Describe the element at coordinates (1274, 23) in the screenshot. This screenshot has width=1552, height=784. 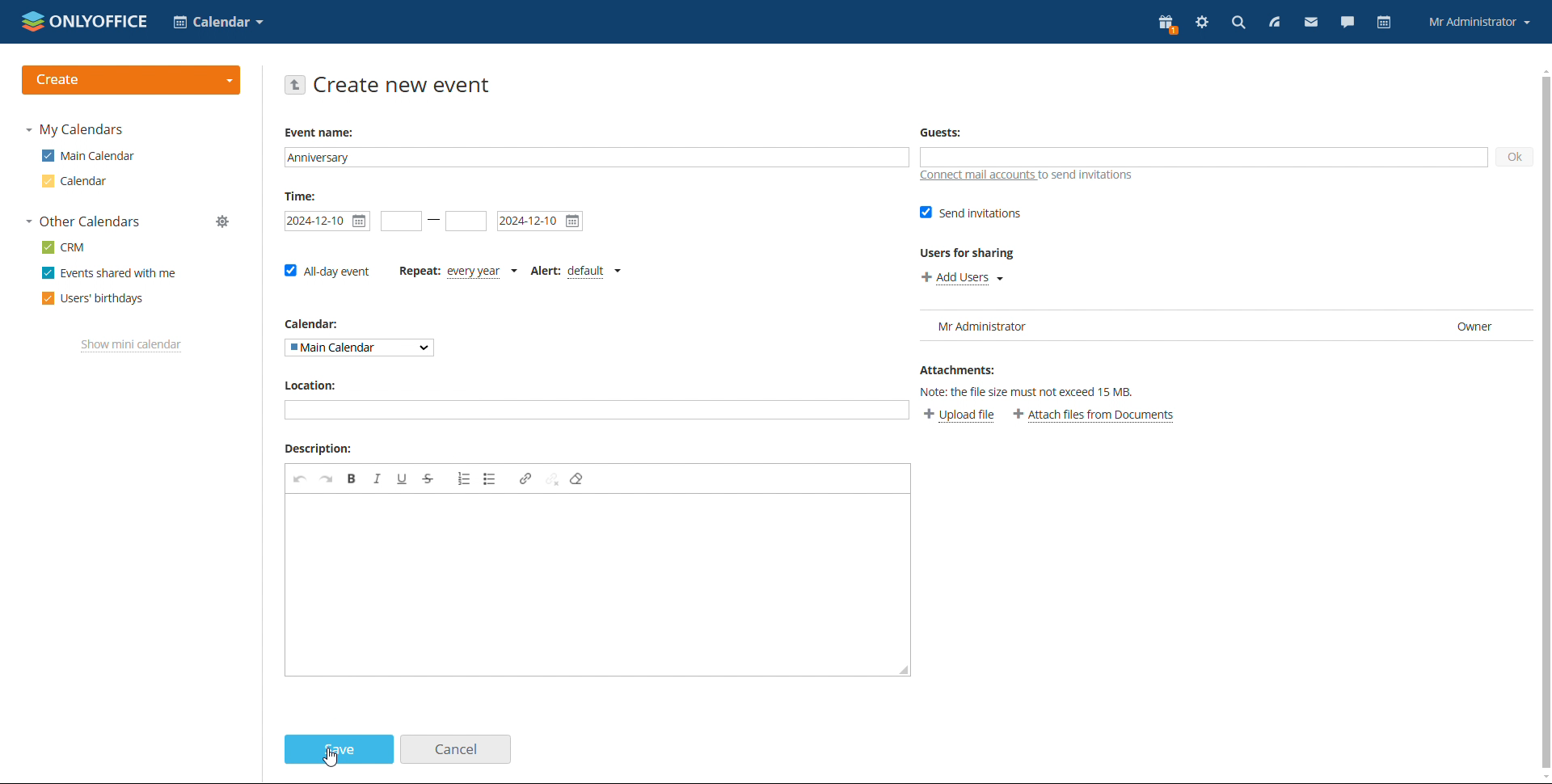
I see `feed` at that location.